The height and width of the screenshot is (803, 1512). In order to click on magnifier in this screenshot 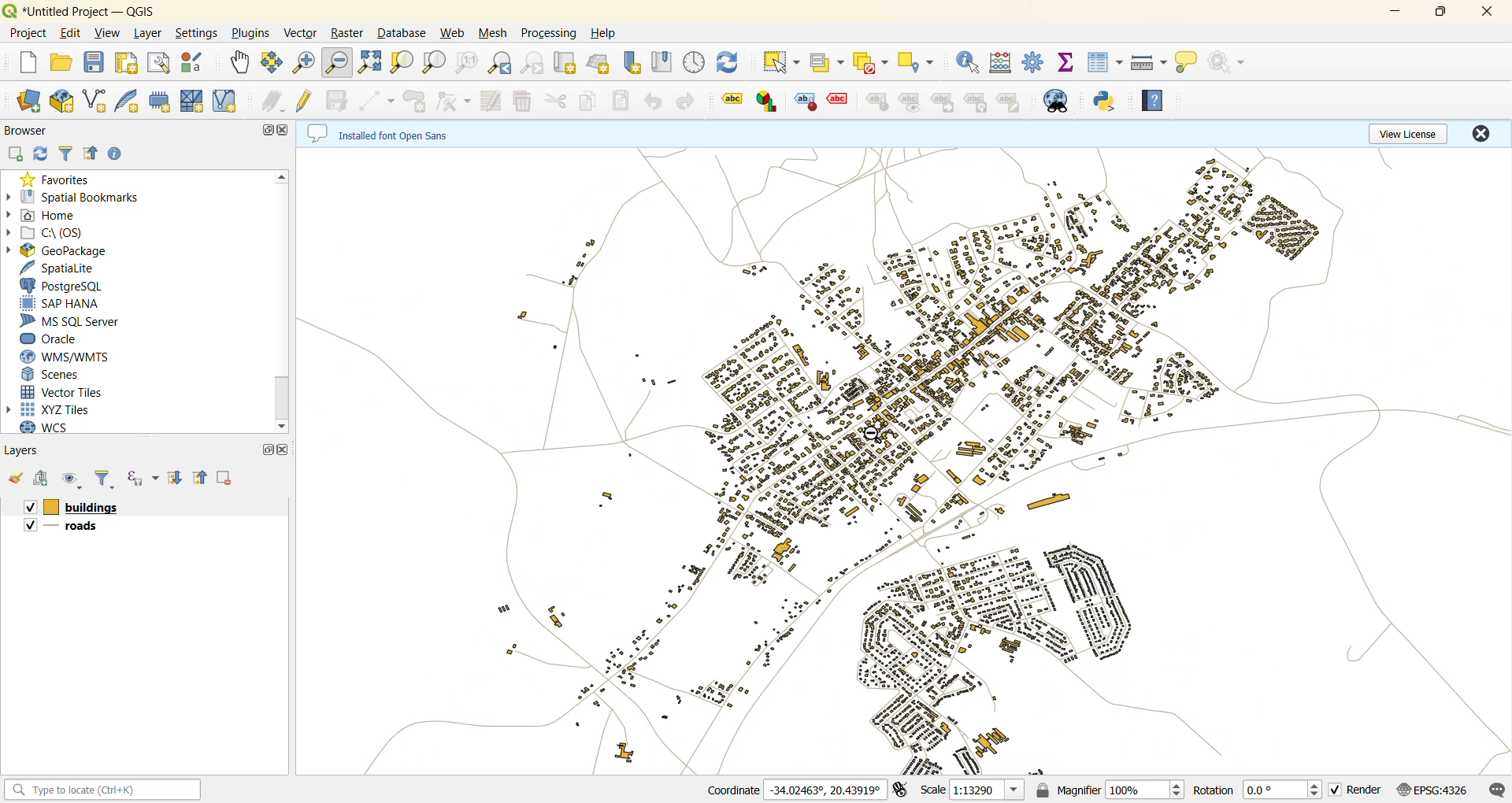, I will do `click(1106, 790)`.